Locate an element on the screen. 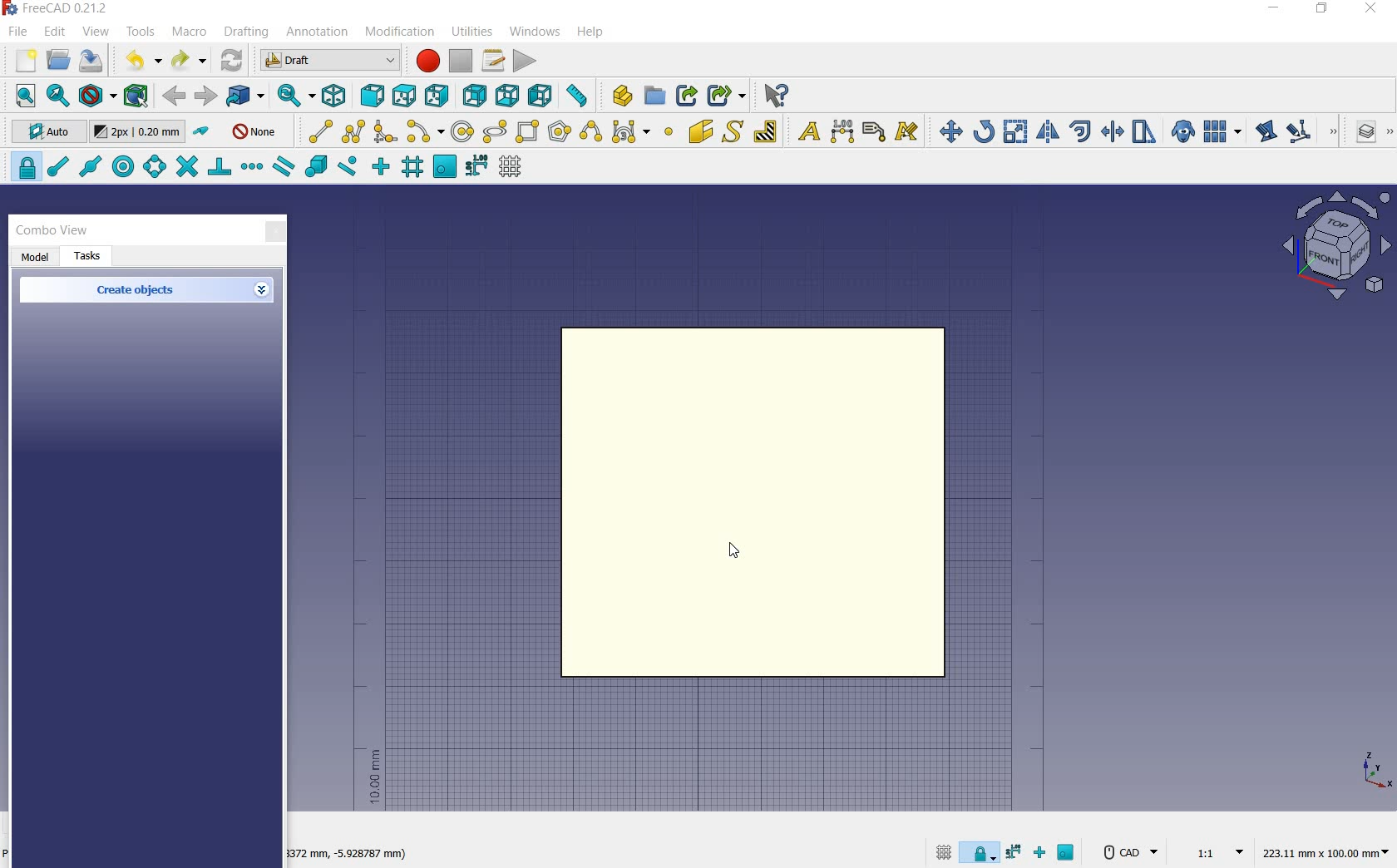 Image resolution: width=1397 pixels, height=868 pixels. view is located at coordinates (96, 32).